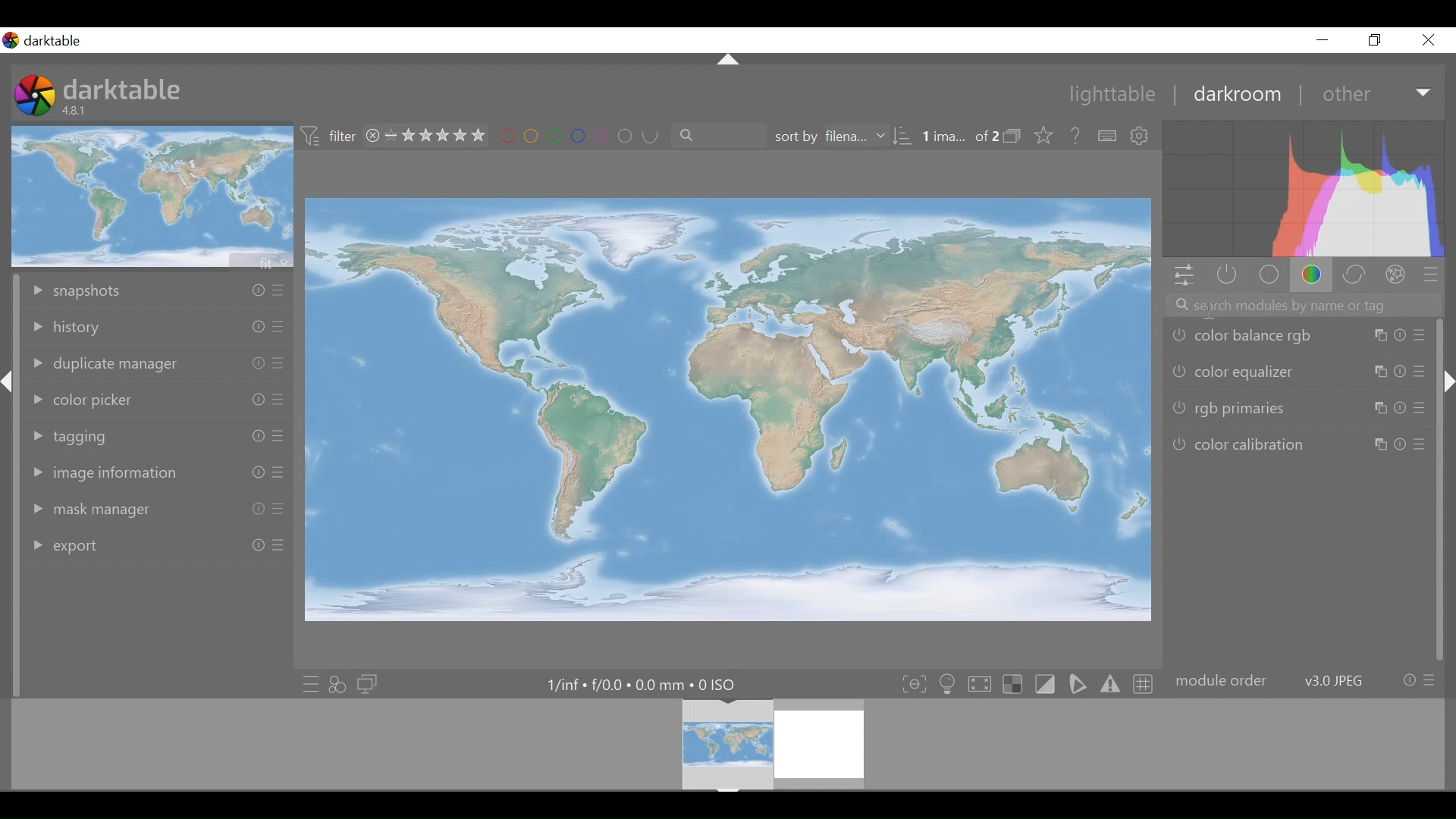  Describe the element at coordinates (1298, 337) in the screenshot. I see `color balance rgb` at that location.